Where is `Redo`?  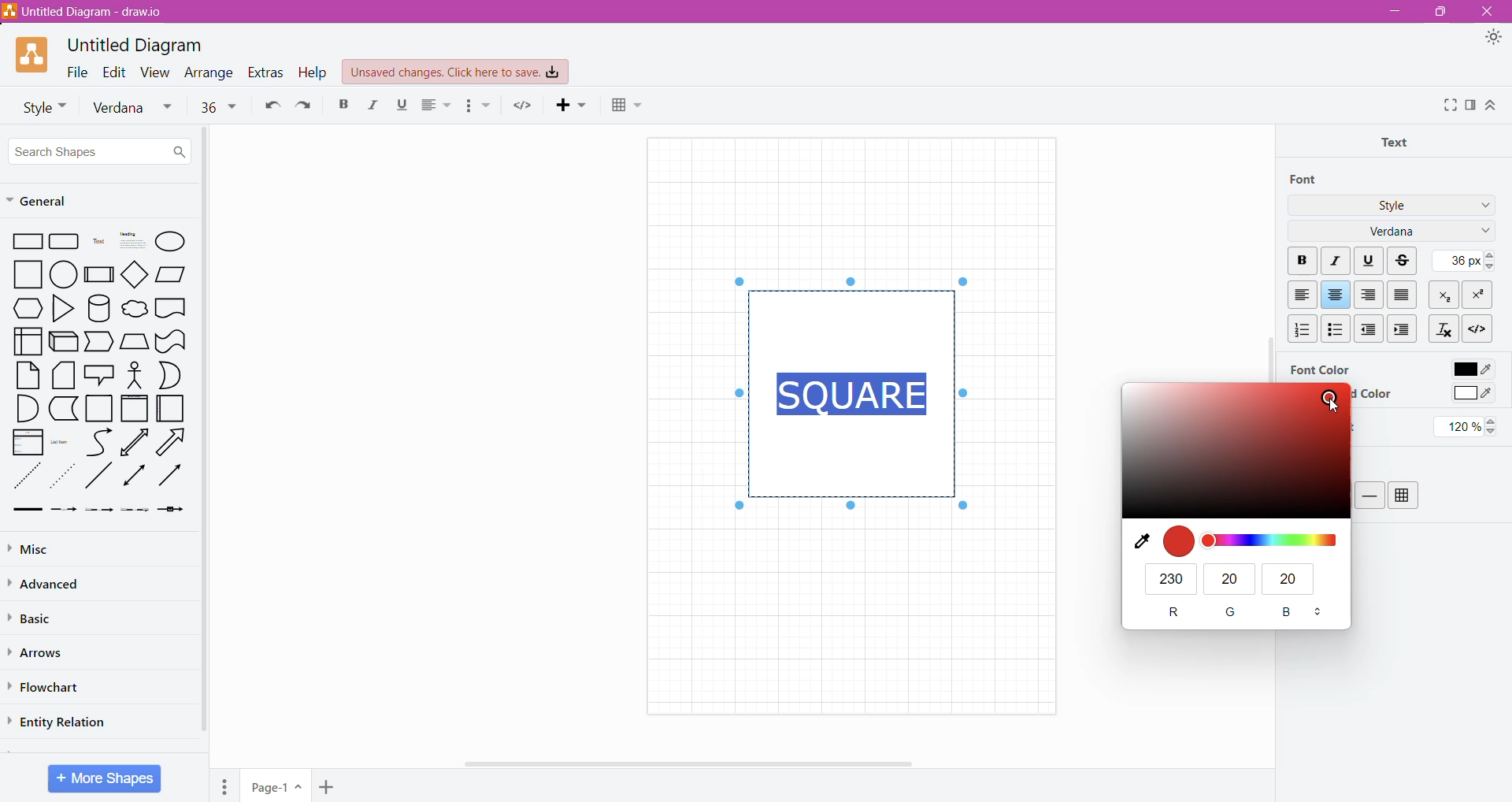 Redo is located at coordinates (306, 104).